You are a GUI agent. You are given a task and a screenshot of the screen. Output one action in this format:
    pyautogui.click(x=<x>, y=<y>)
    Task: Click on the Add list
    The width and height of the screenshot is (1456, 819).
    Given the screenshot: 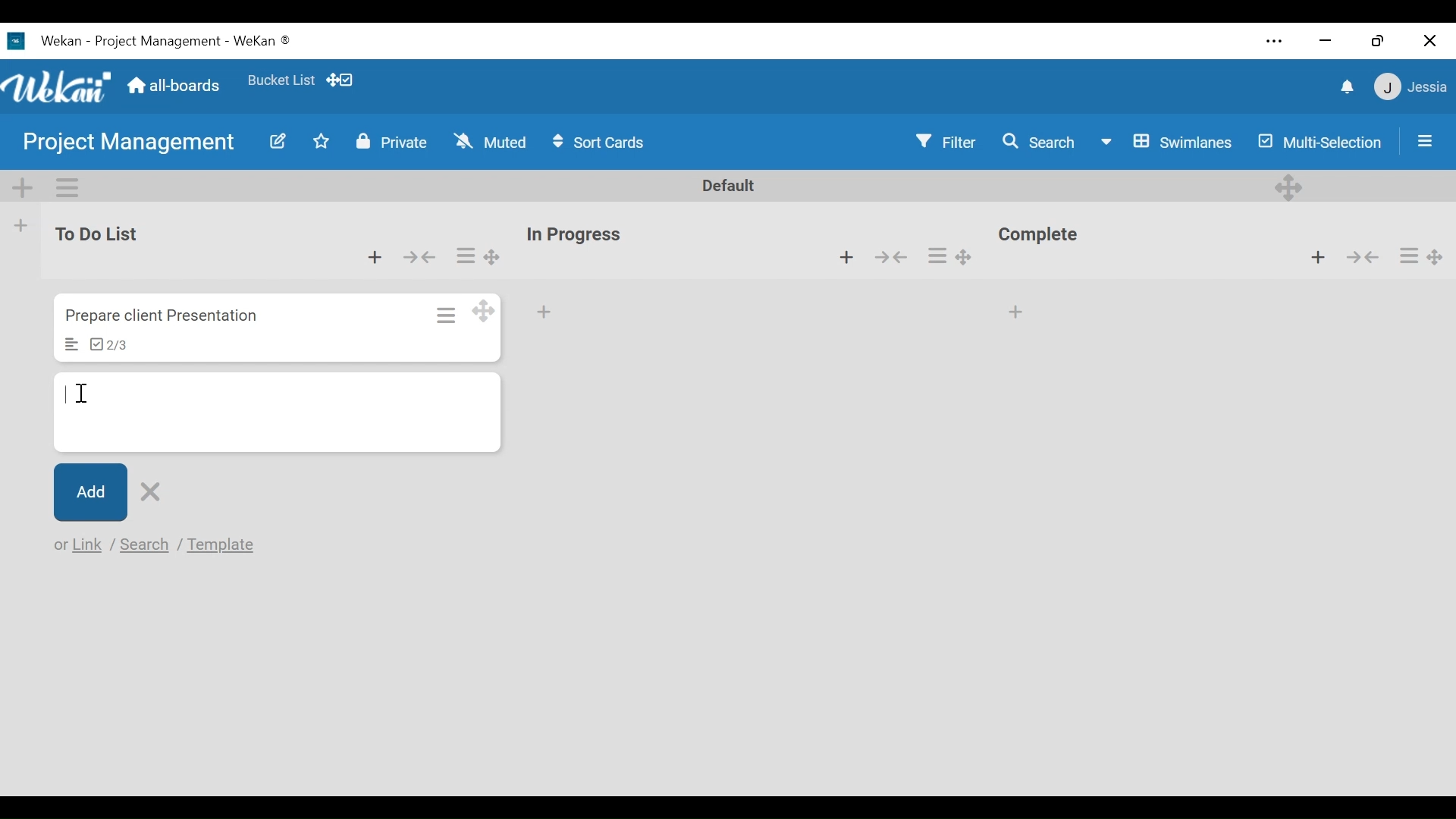 What is the action you would take?
    pyautogui.click(x=22, y=225)
    